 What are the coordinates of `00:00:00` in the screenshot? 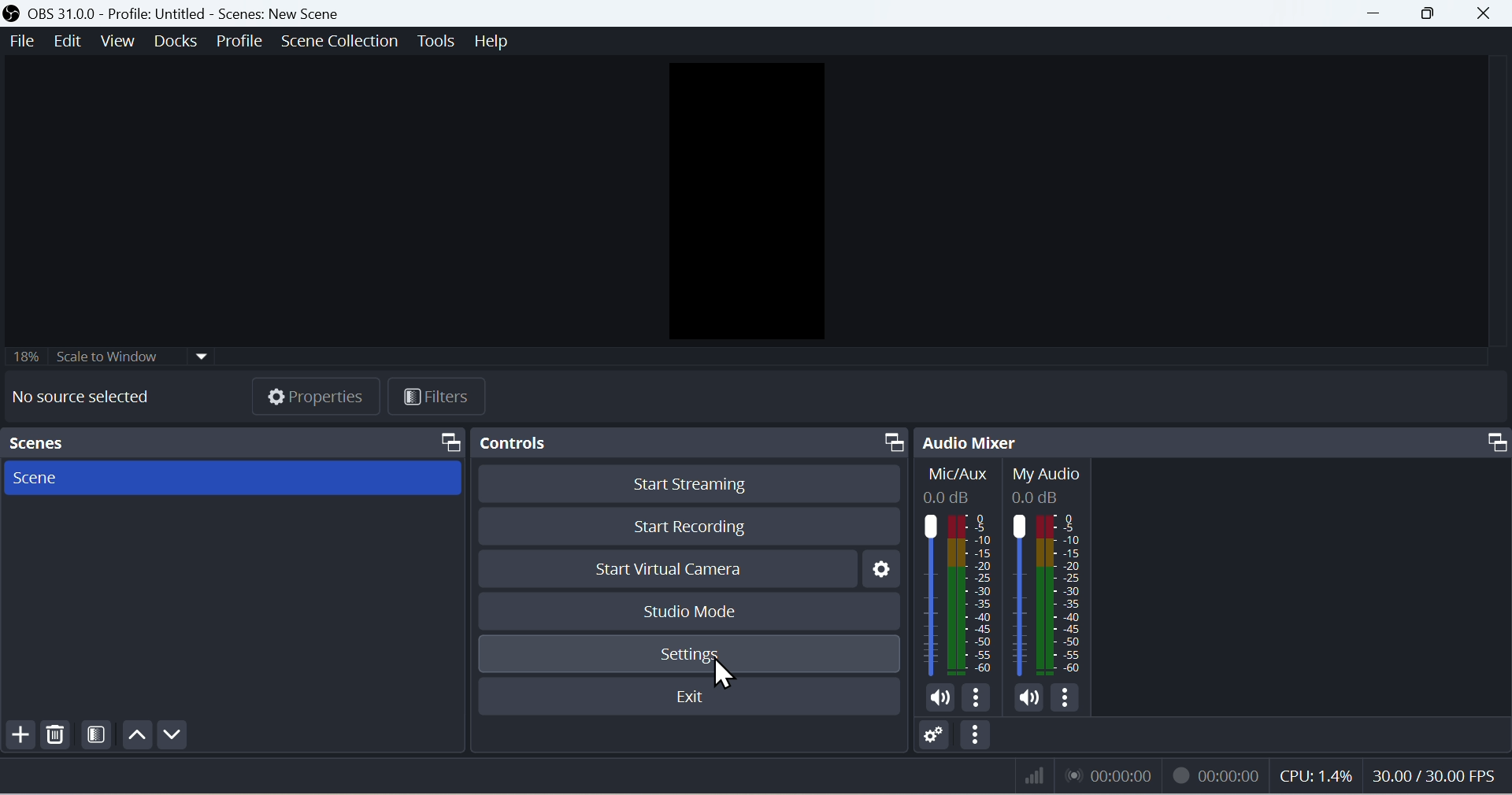 It's located at (1216, 774).